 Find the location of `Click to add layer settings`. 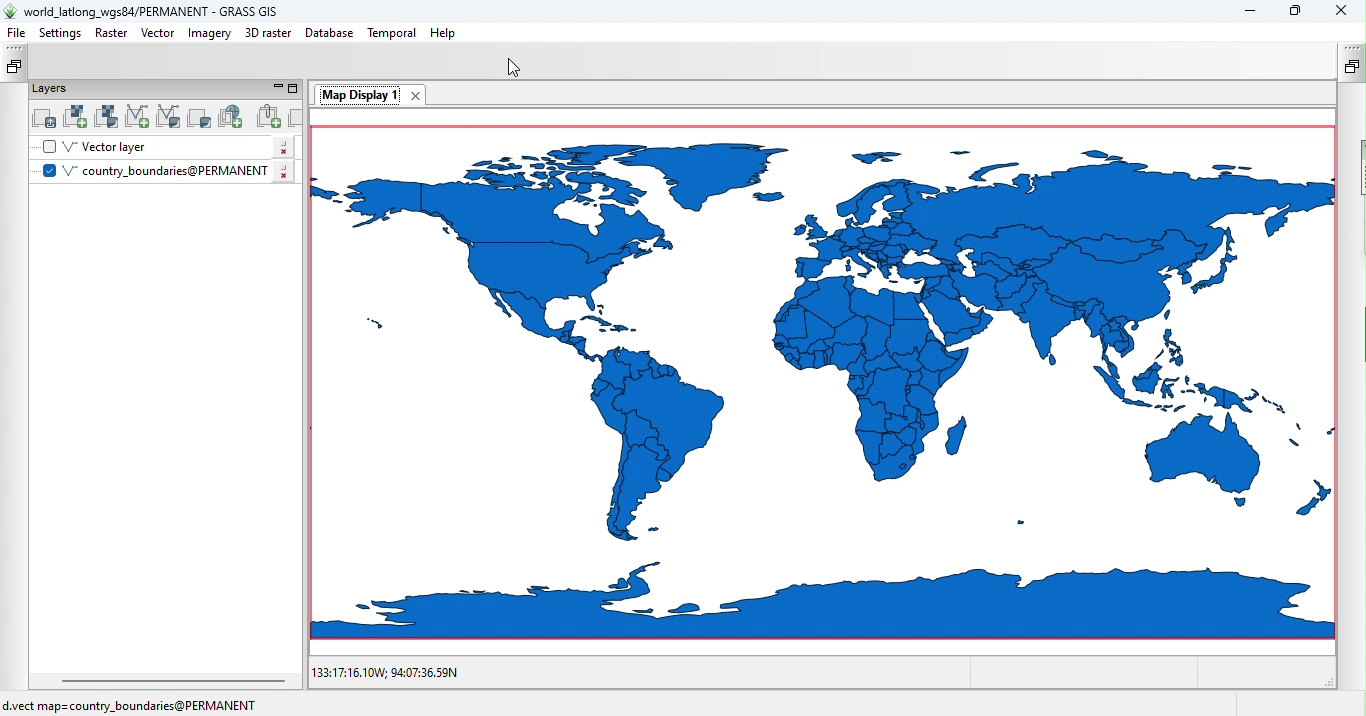

Click to add layer settings is located at coordinates (282, 171).